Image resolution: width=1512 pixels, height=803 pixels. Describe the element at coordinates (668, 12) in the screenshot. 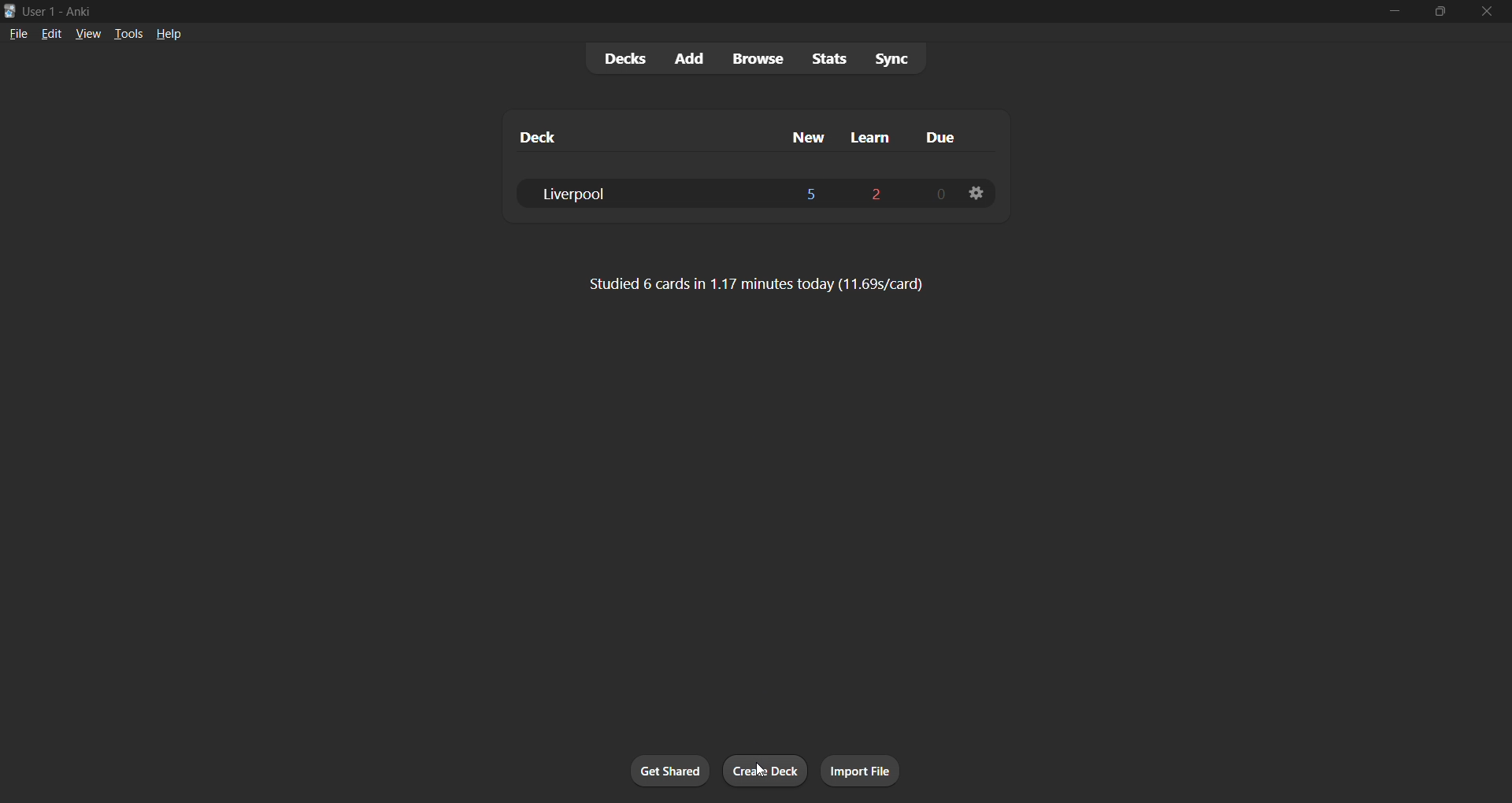

I see `title bar` at that location.